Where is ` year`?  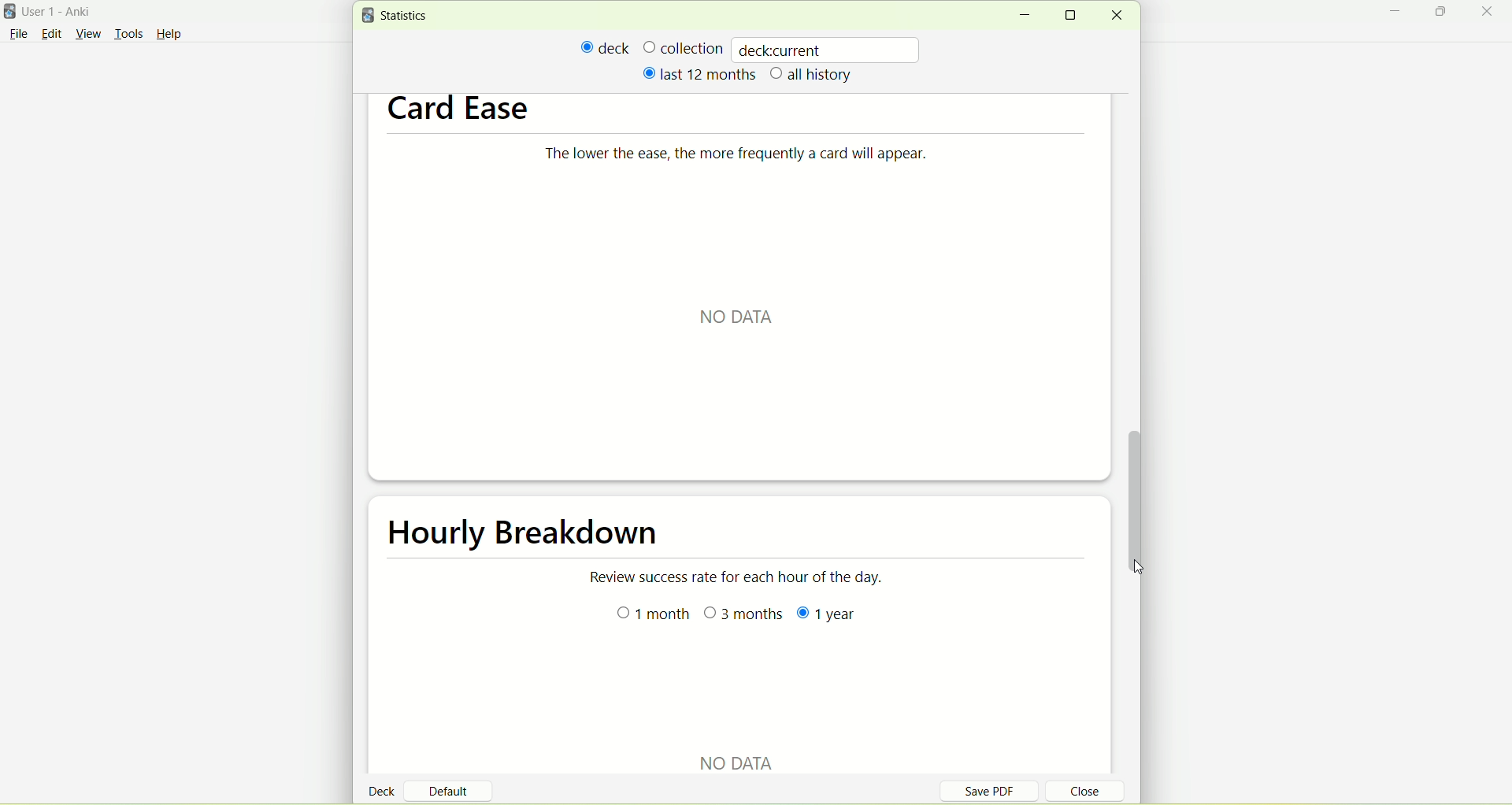
 year is located at coordinates (831, 618).